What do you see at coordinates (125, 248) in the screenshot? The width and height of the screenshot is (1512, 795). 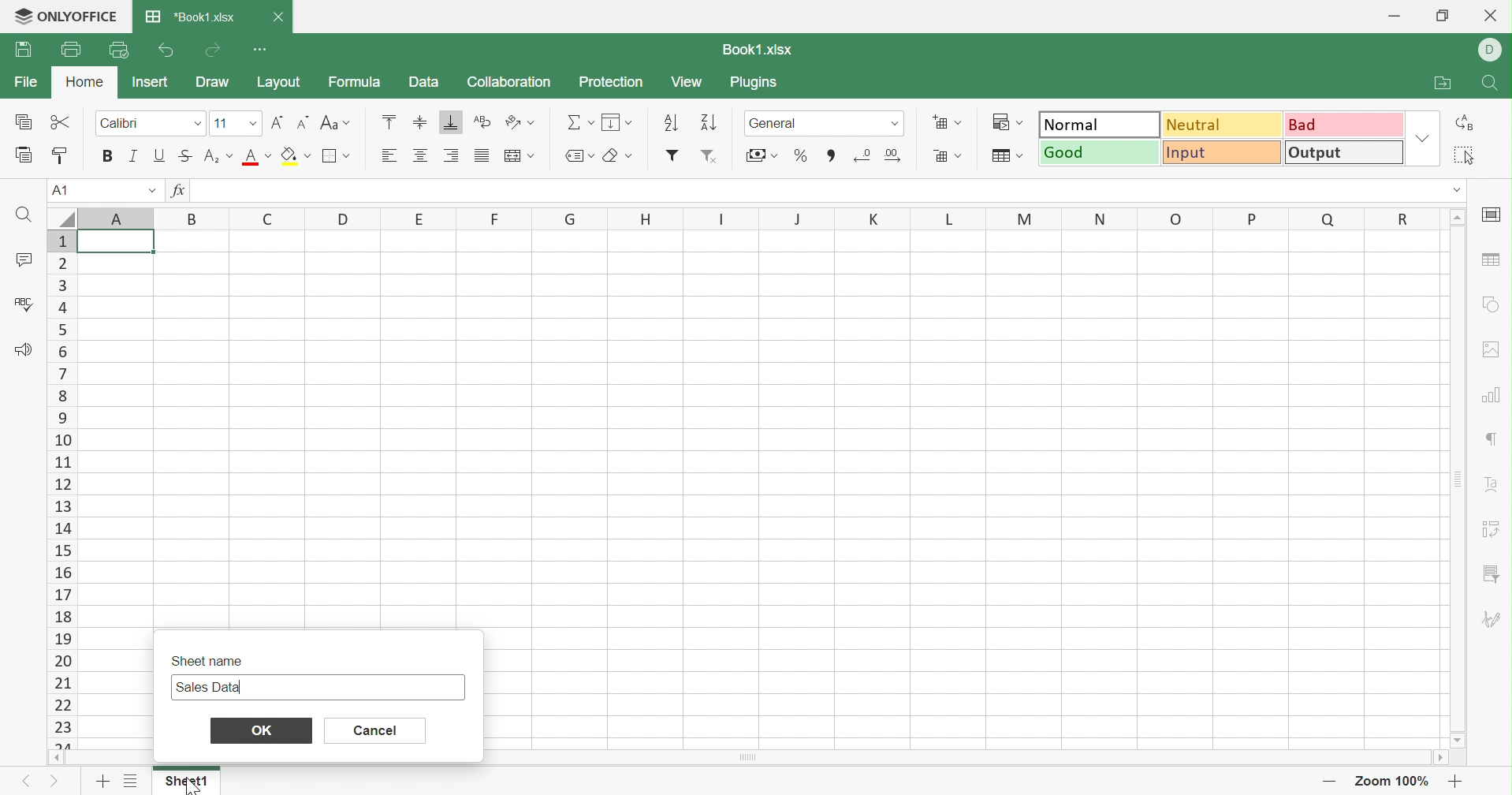 I see `cell A1 highlighted` at bounding box center [125, 248].